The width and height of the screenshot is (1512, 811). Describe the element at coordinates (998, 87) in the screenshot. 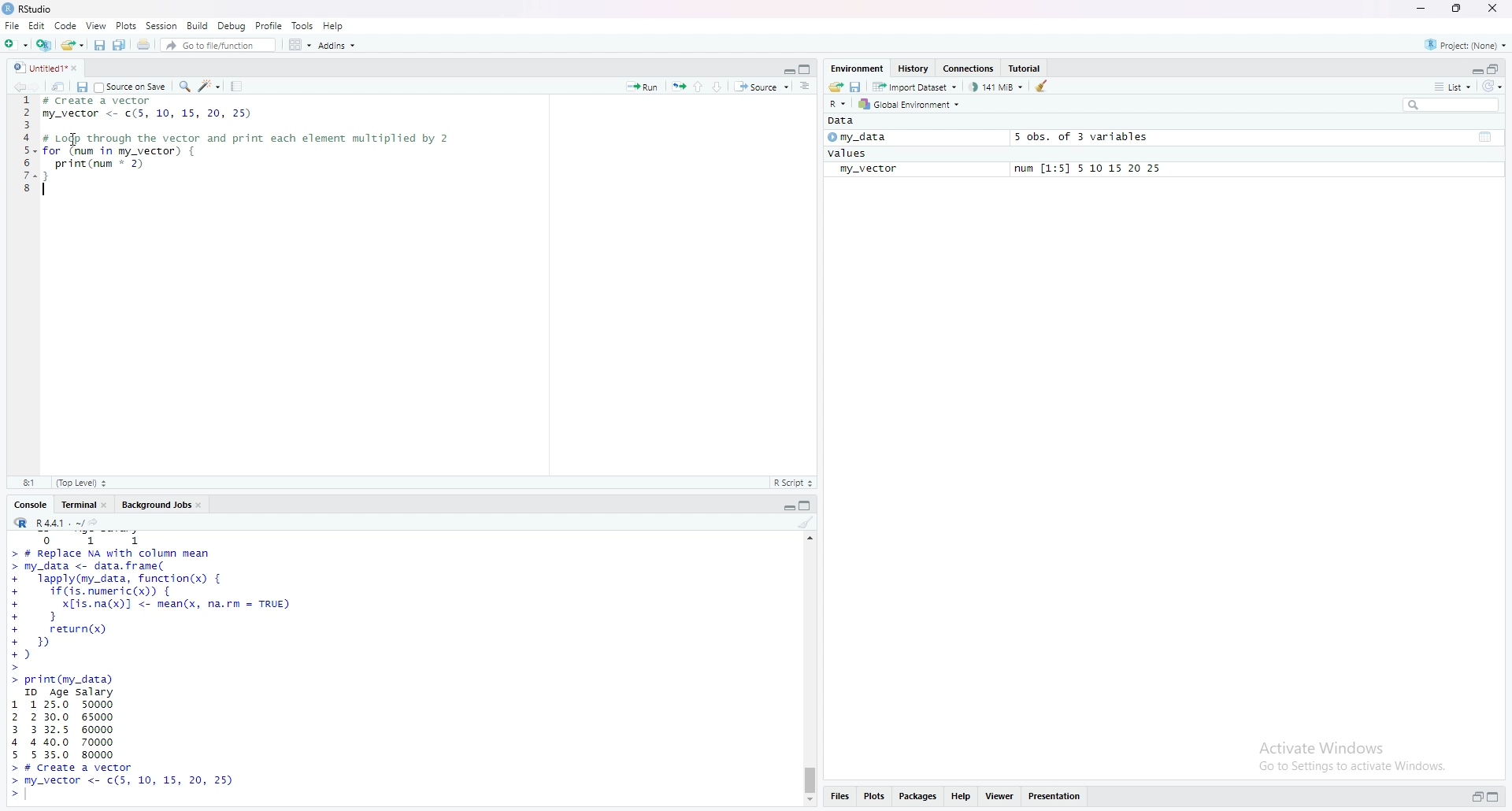

I see `141 MB` at that location.